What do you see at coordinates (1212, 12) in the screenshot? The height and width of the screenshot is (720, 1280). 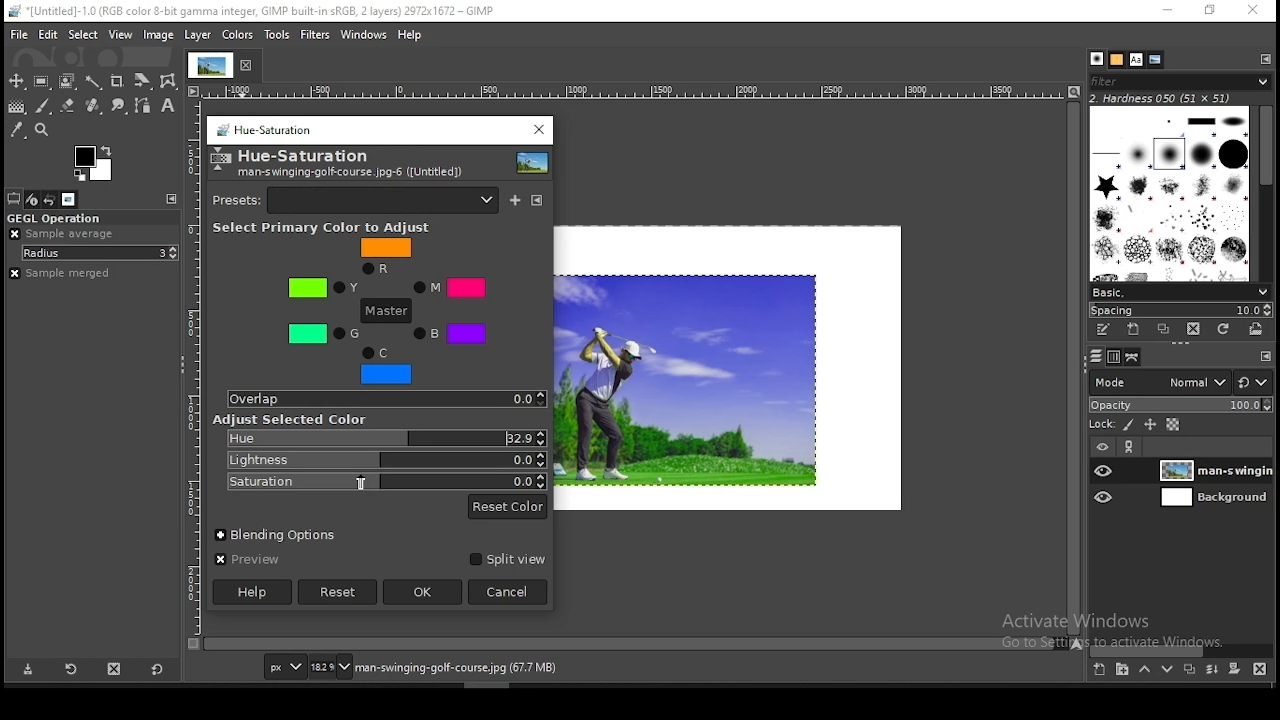 I see `restore` at bounding box center [1212, 12].